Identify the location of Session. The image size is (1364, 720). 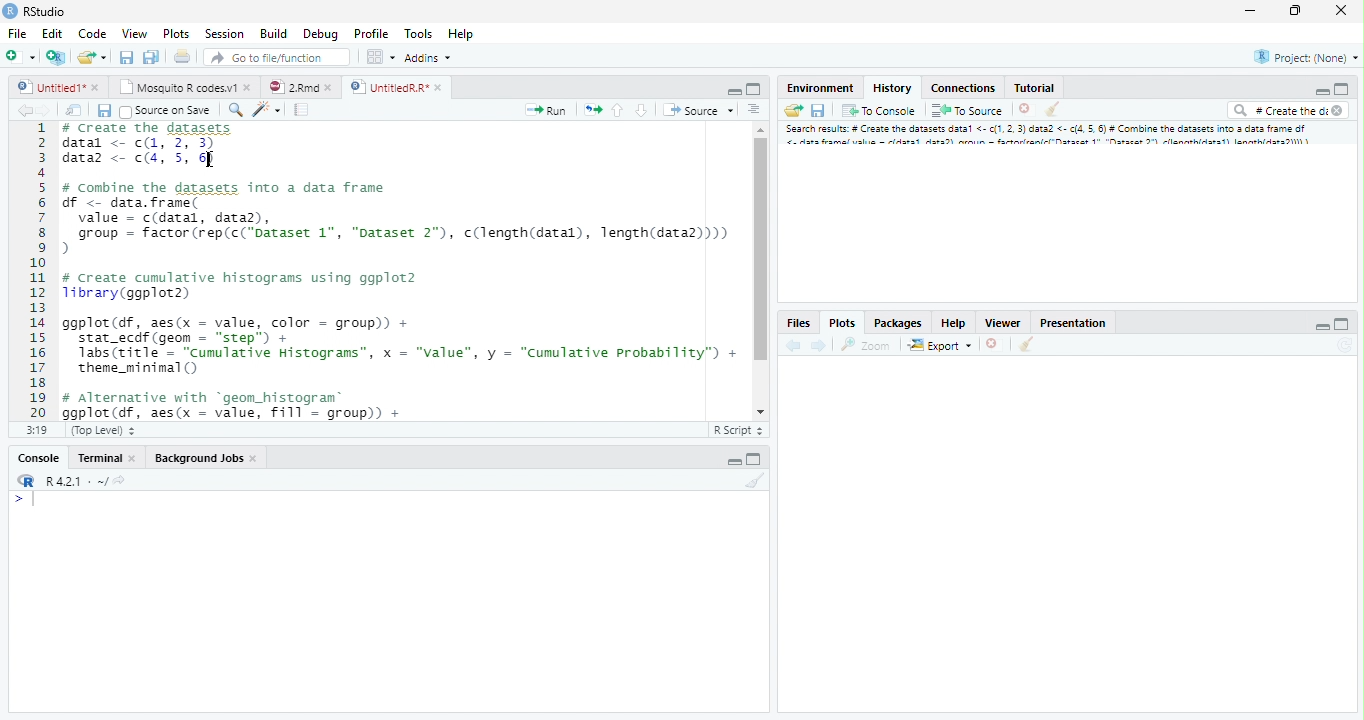
(227, 34).